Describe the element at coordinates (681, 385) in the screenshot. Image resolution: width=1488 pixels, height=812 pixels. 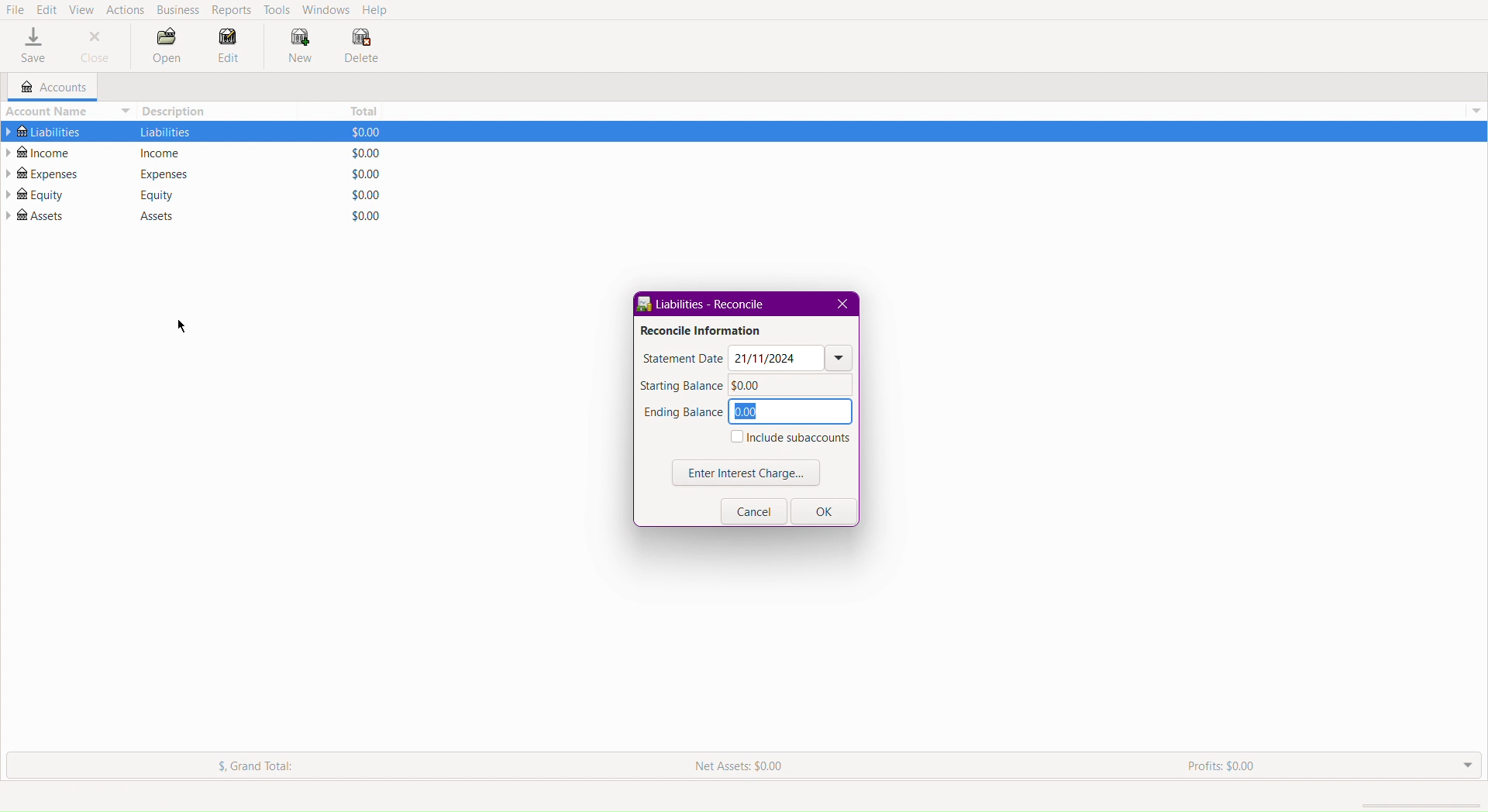
I see `Starting Balance` at that location.